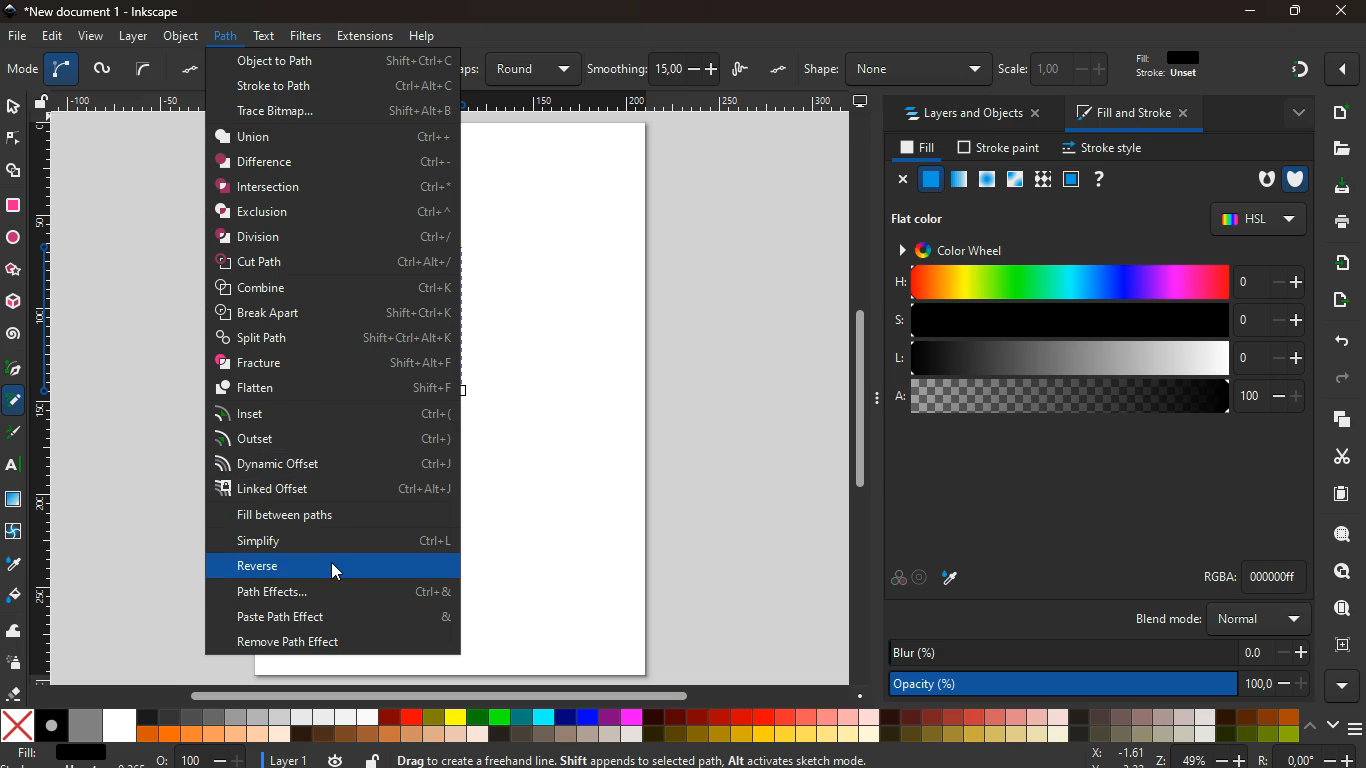 The width and height of the screenshot is (1366, 768). Describe the element at coordinates (331, 414) in the screenshot. I see `inset` at that location.